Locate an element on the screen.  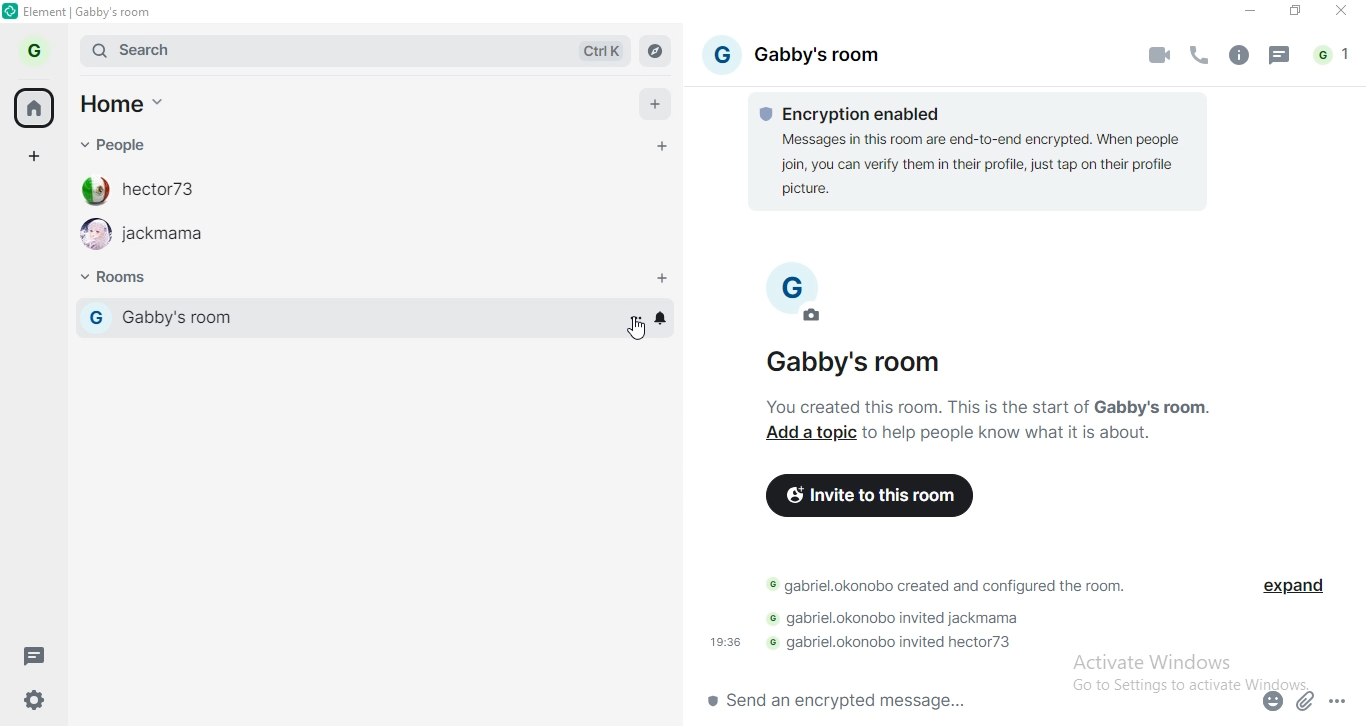
edit is located at coordinates (811, 316).